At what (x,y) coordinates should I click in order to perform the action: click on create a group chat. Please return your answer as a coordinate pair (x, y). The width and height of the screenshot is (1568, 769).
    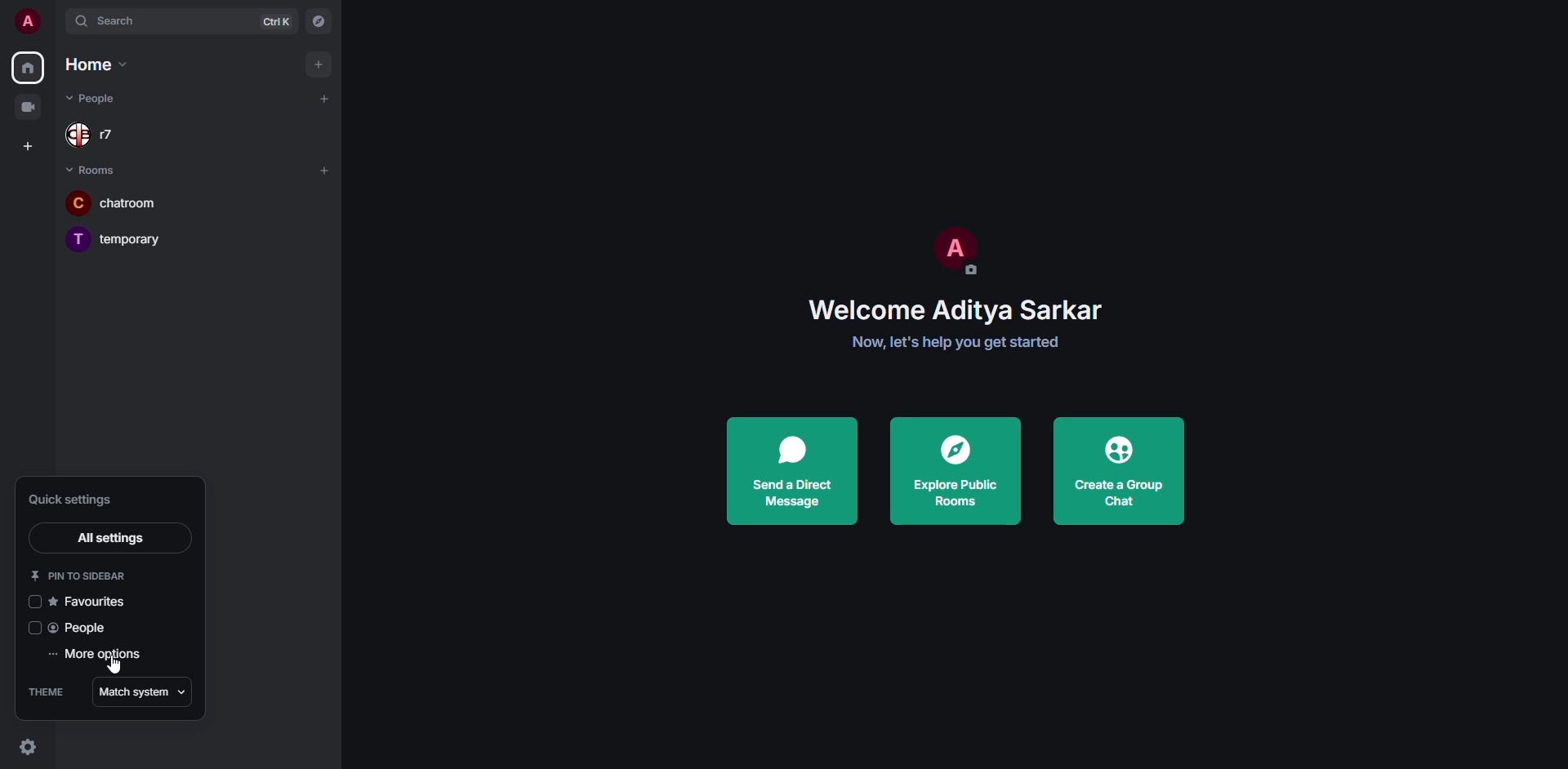
    Looking at the image, I should click on (1119, 472).